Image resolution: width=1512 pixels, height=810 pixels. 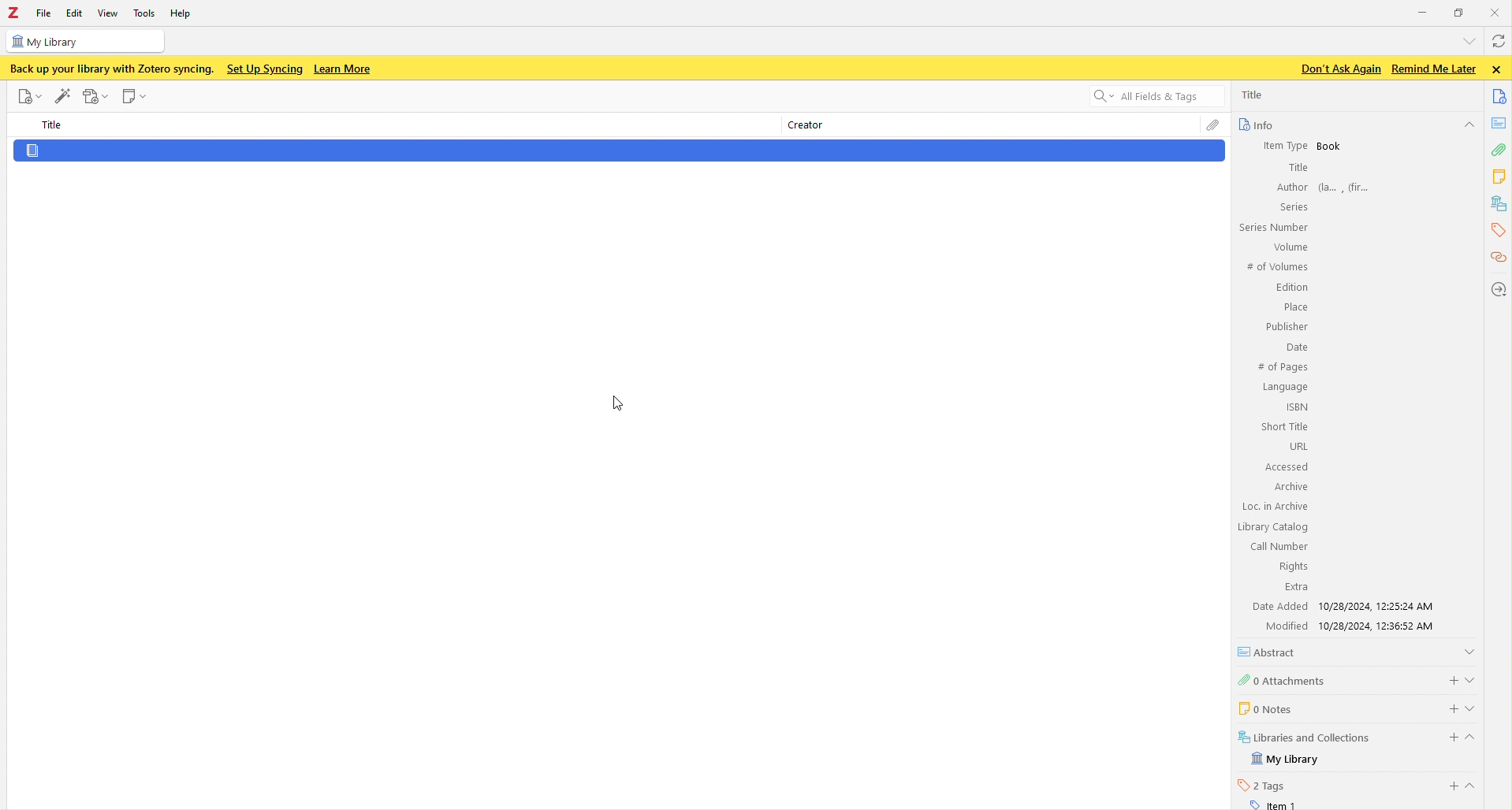 What do you see at coordinates (1497, 258) in the screenshot?
I see `citations` at bounding box center [1497, 258].